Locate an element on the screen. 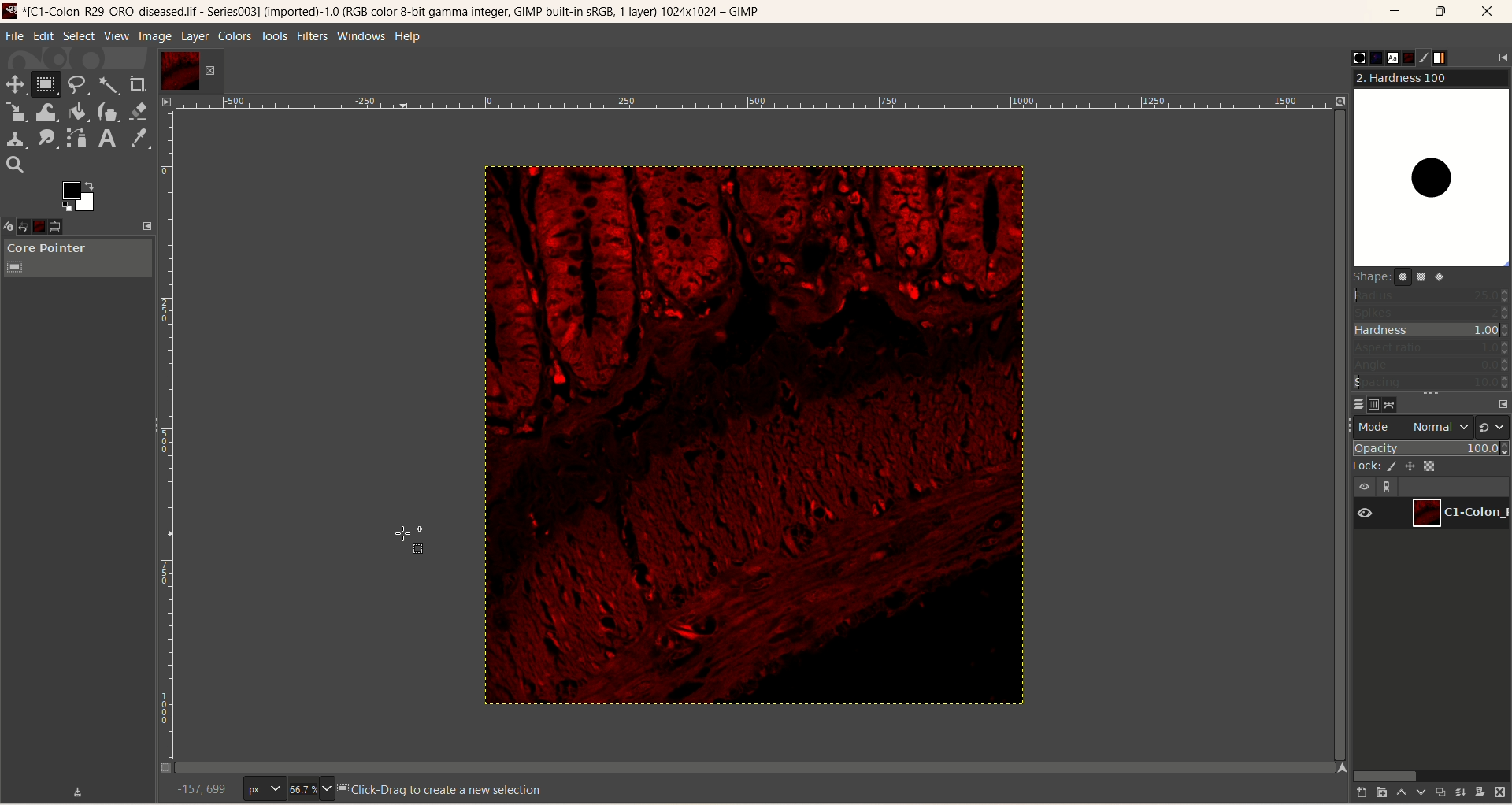  merge this layer is located at coordinates (1459, 792).